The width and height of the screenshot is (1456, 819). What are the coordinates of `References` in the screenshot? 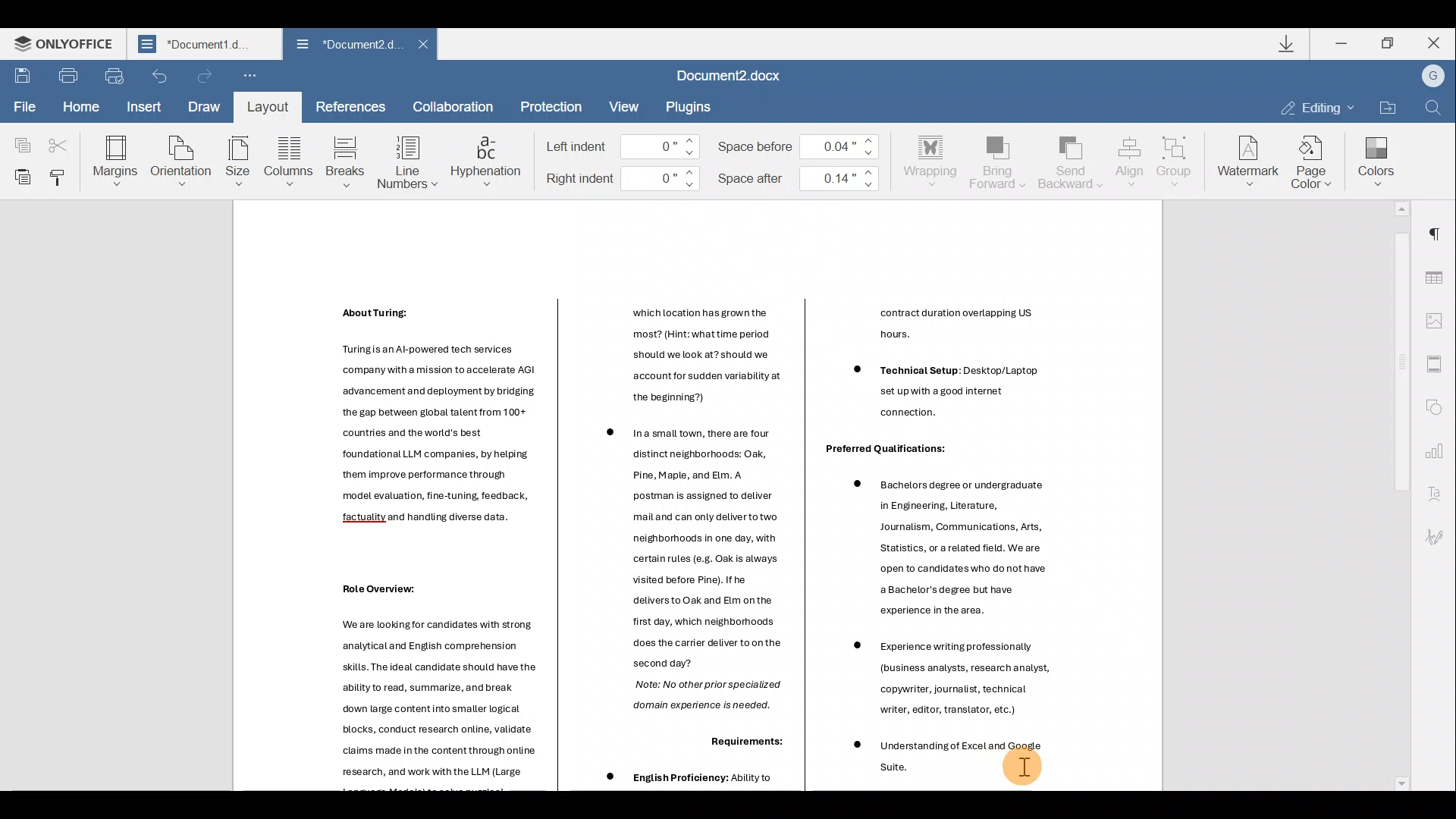 It's located at (352, 106).